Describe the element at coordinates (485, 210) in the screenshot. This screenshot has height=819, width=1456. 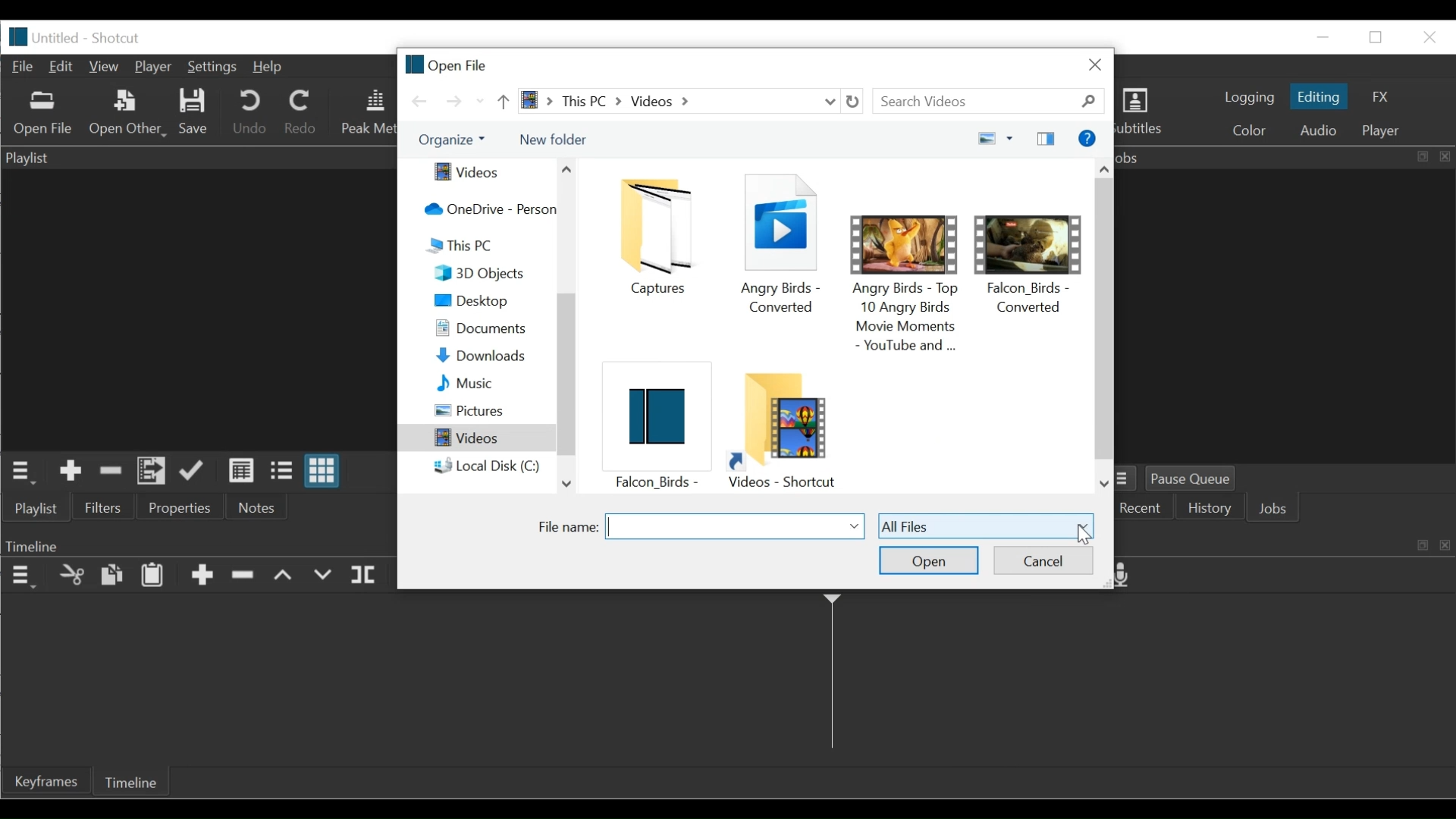
I see `OneDrive - personal` at that location.